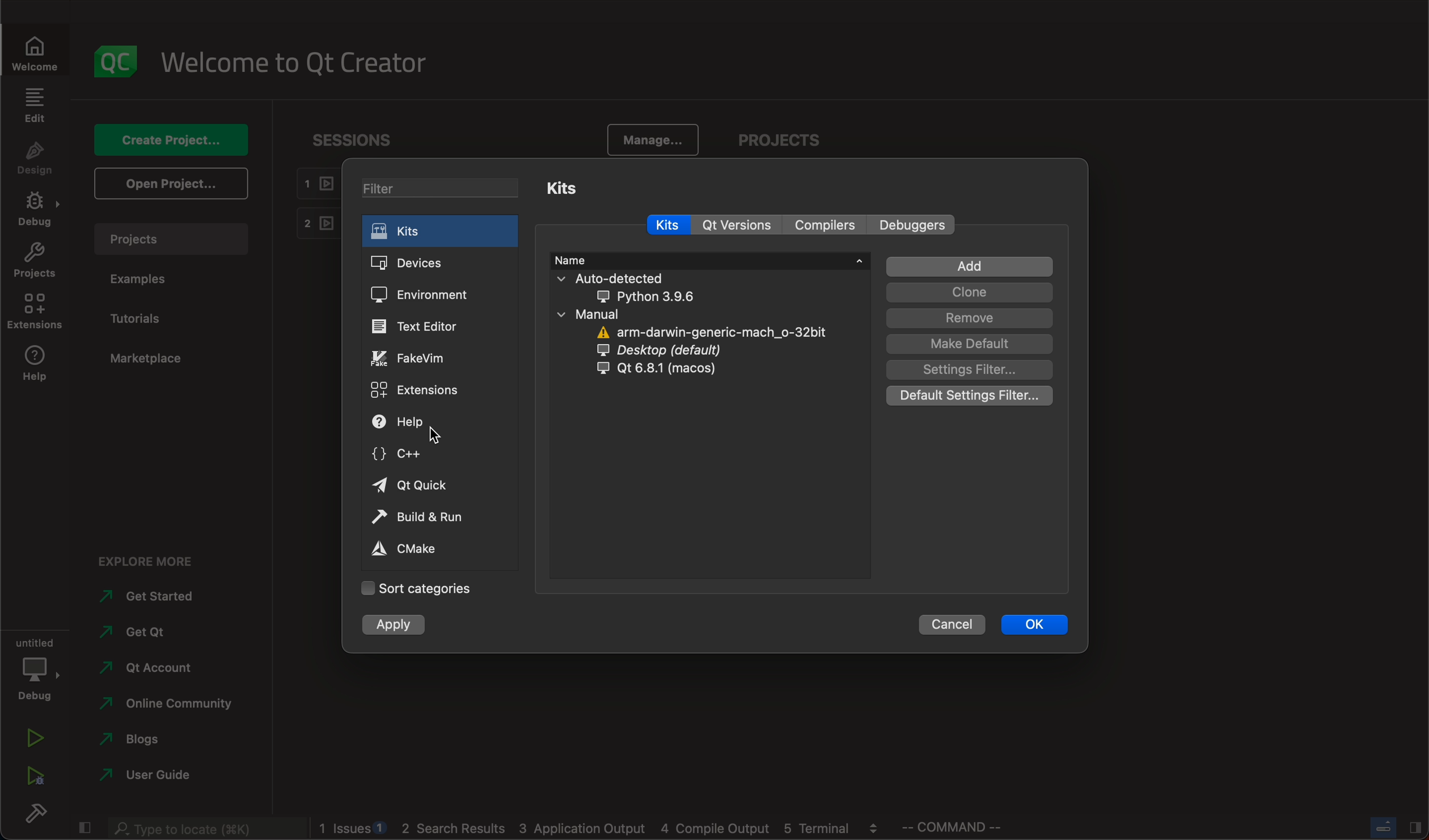 The width and height of the screenshot is (1429, 840). I want to click on create, so click(173, 140).